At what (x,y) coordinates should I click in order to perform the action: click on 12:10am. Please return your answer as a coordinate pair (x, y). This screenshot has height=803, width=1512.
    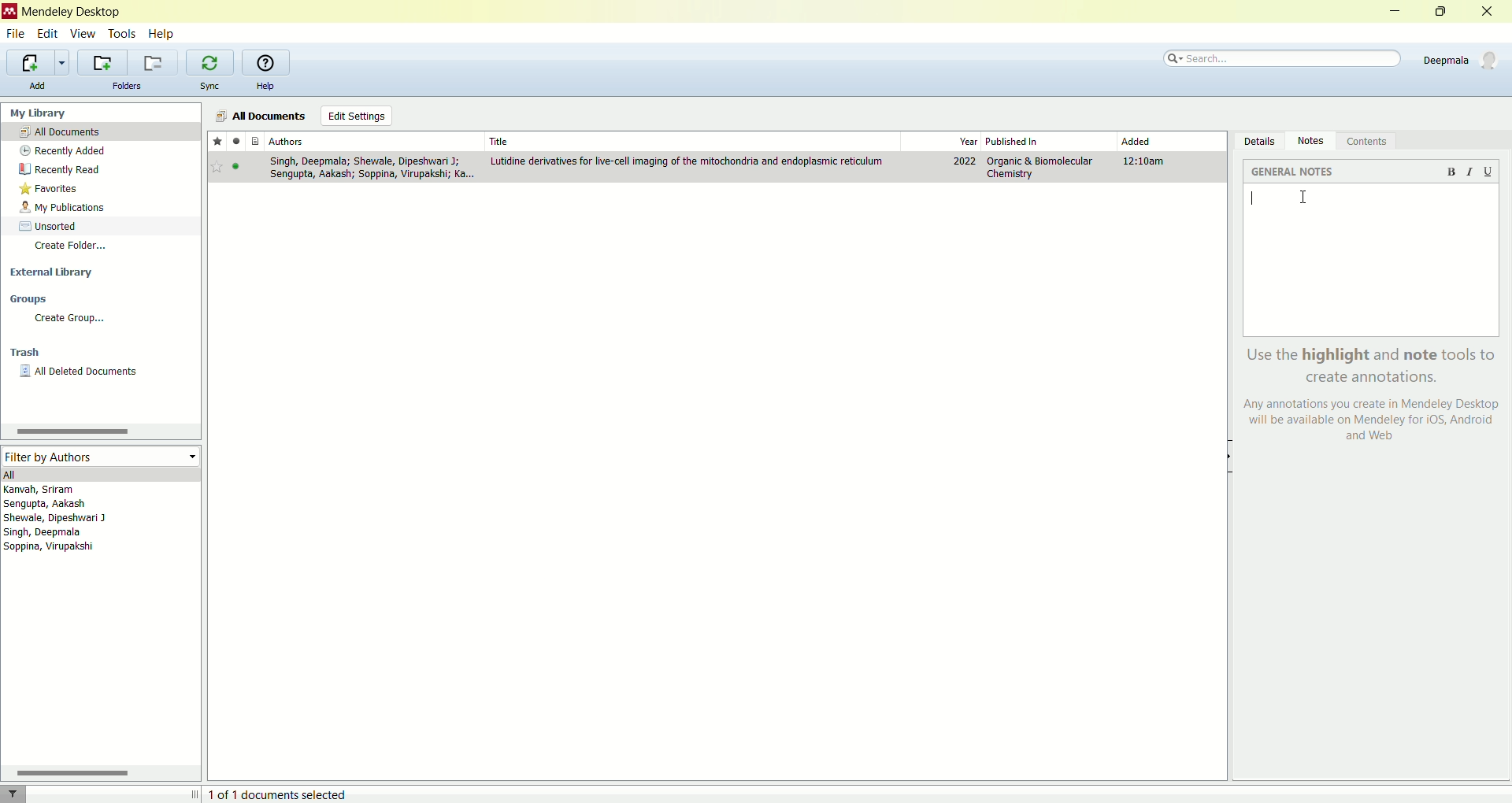
    Looking at the image, I should click on (1147, 162).